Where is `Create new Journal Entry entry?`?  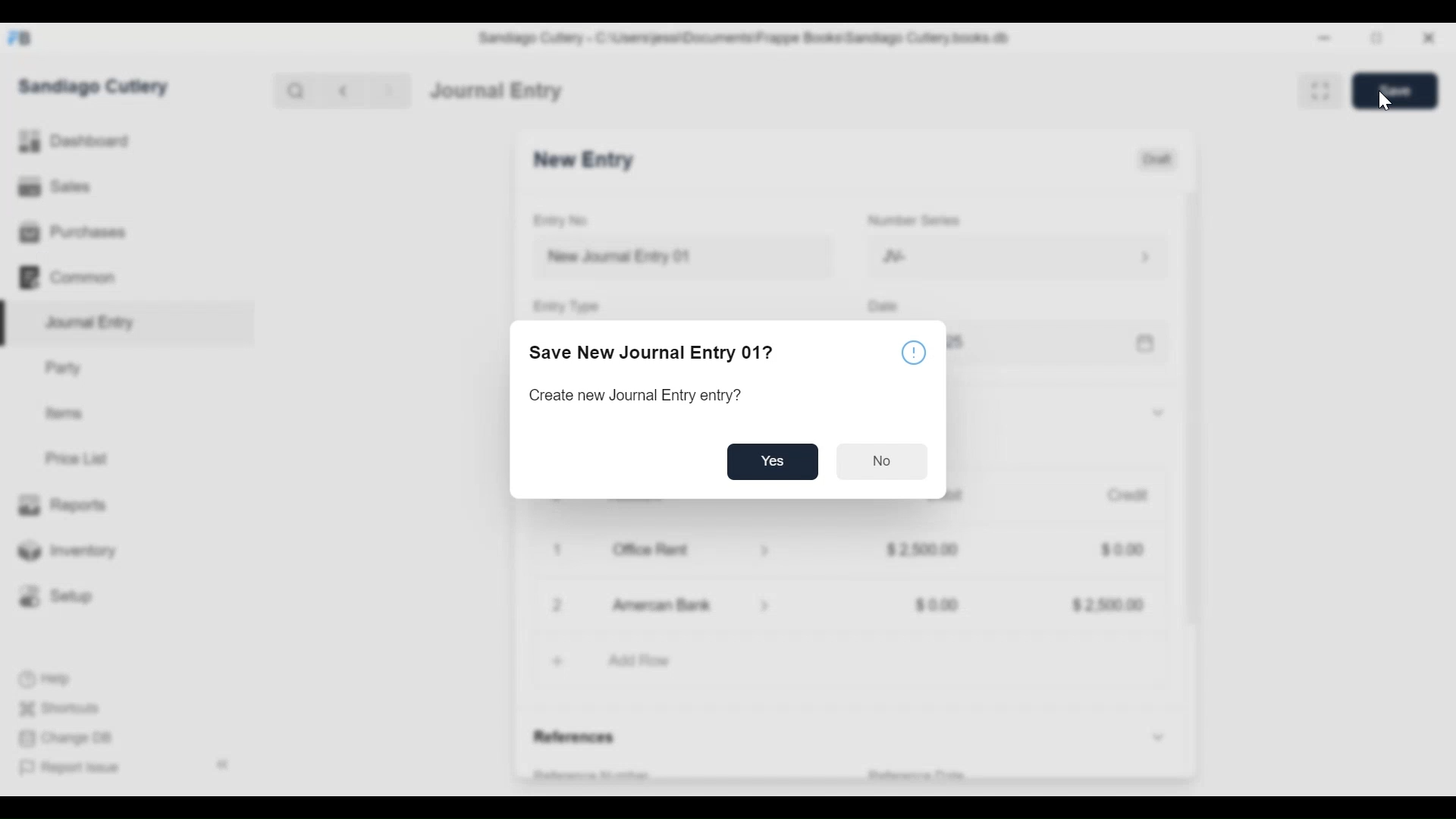 Create new Journal Entry entry? is located at coordinates (643, 397).